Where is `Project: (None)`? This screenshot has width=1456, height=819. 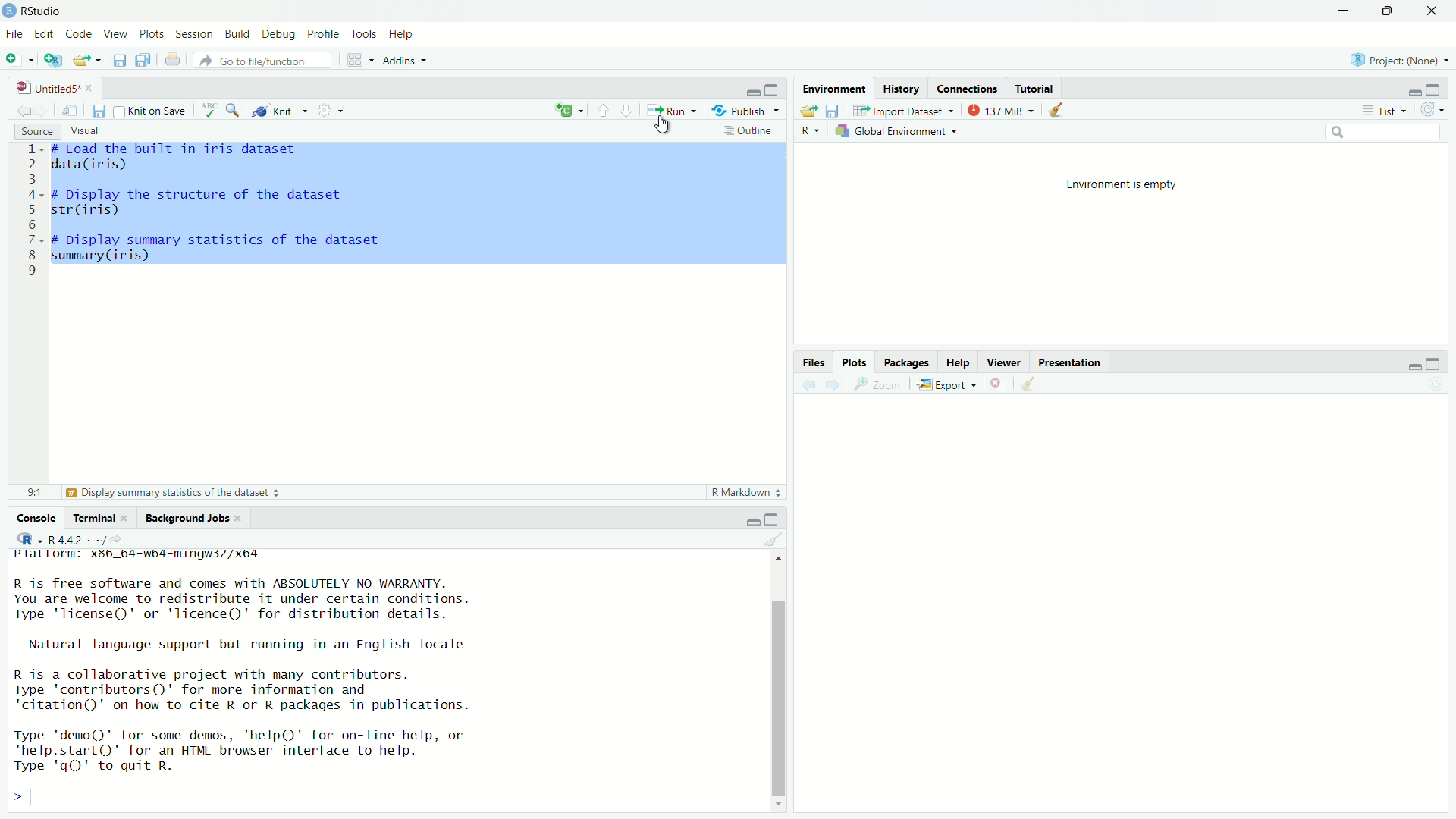 Project: (None) is located at coordinates (1401, 60).